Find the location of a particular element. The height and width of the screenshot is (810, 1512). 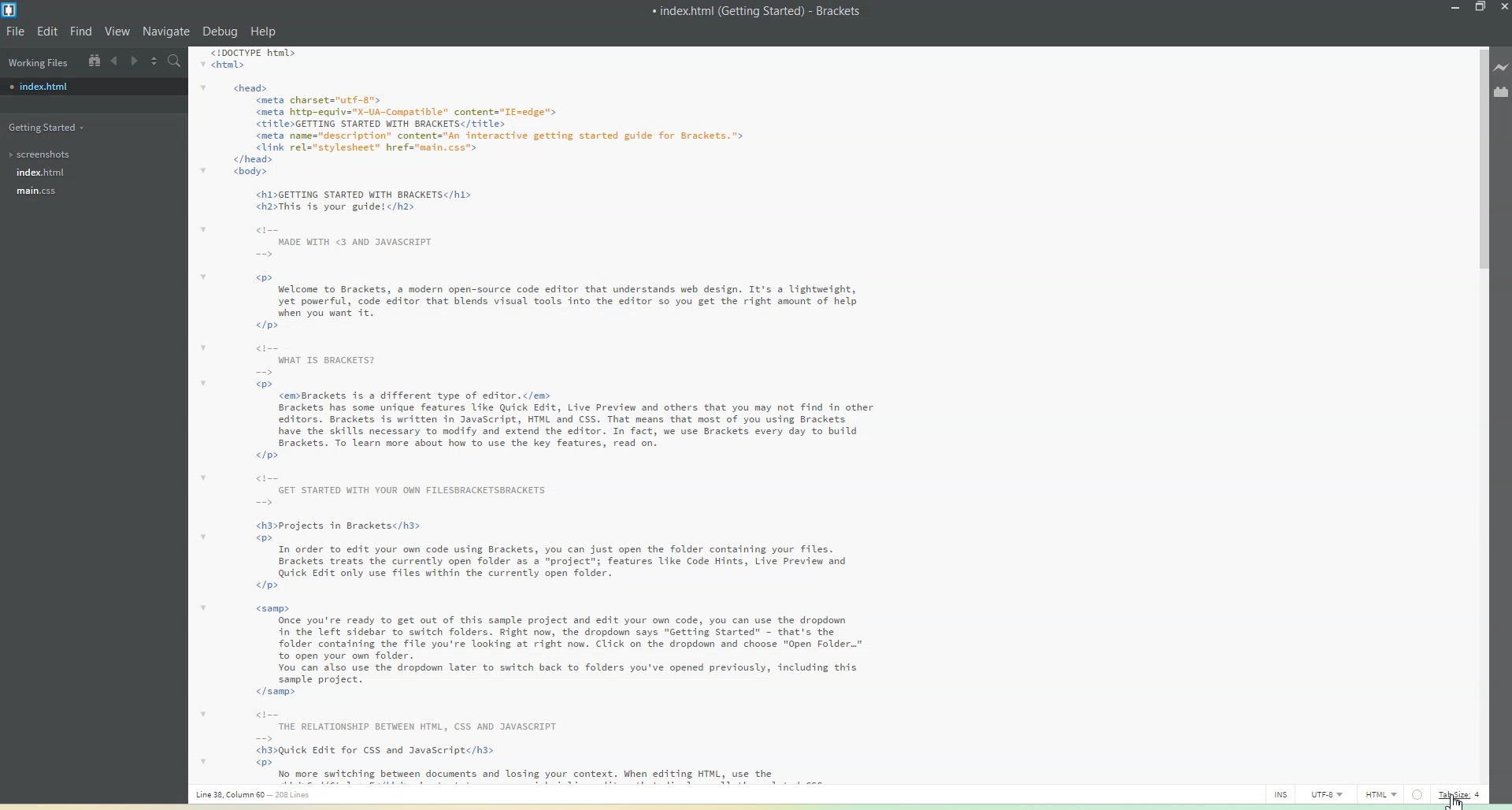

Tab Size is located at coordinates (1464, 793).